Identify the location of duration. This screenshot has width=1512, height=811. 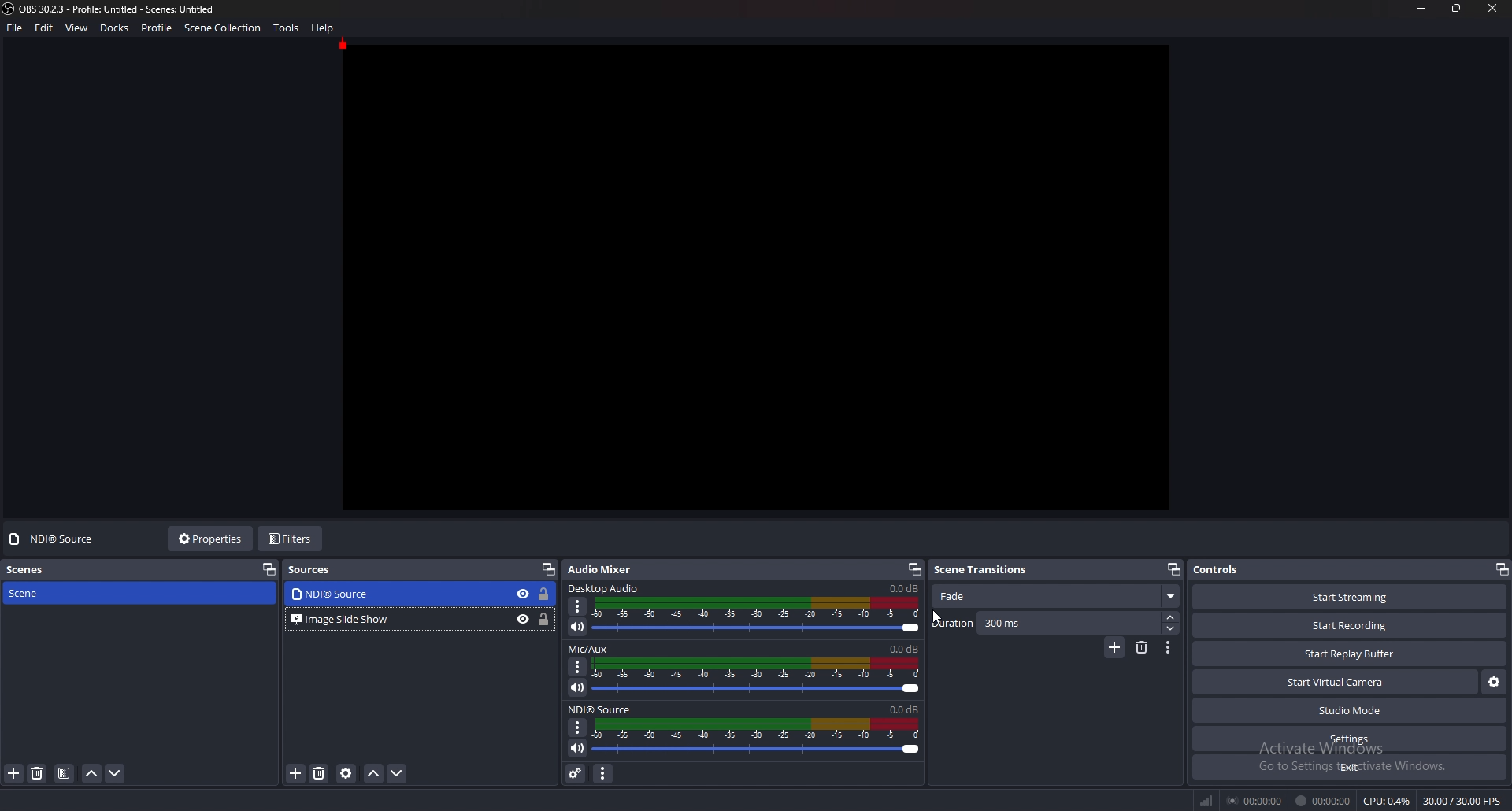
(1046, 622).